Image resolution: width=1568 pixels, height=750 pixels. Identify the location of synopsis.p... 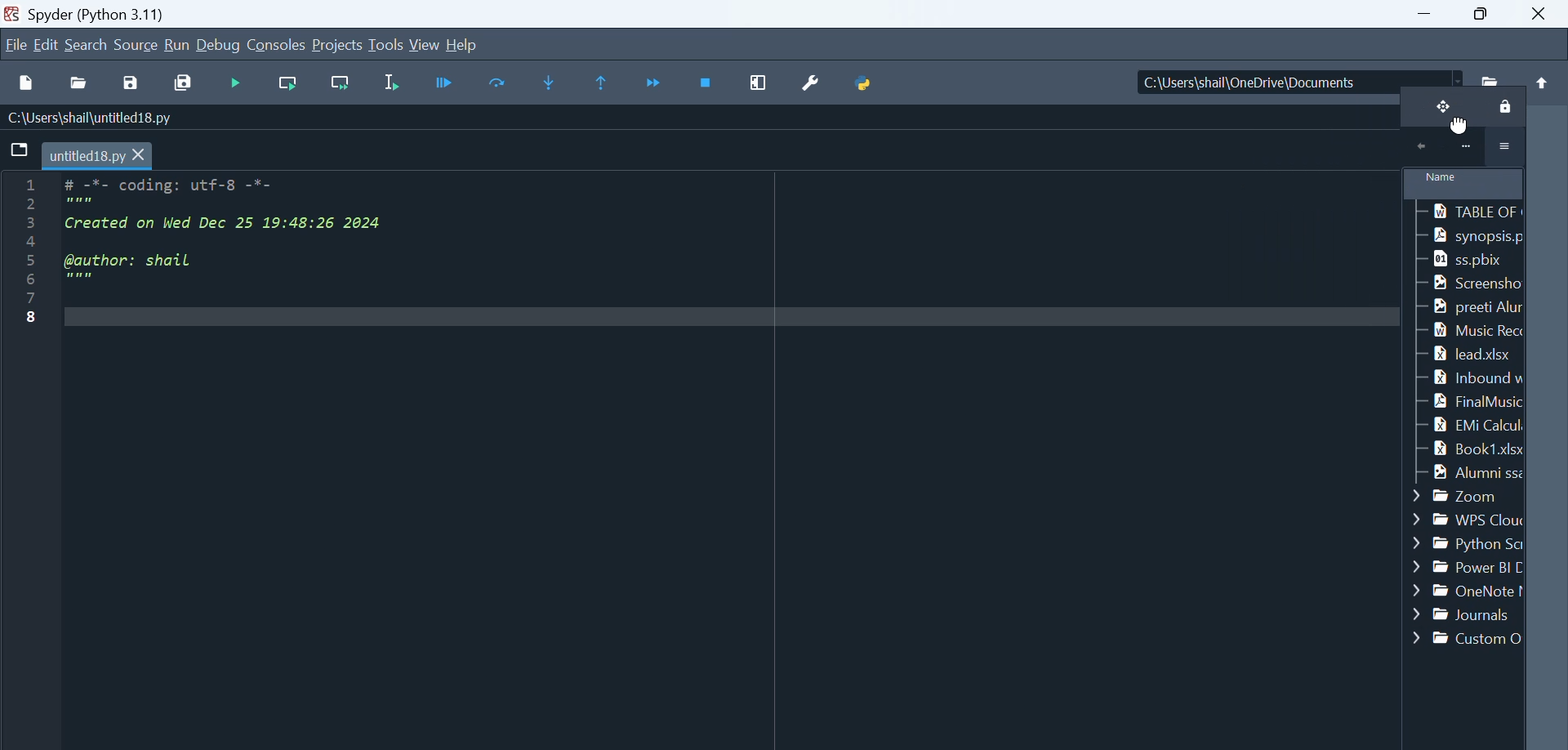
(1470, 238).